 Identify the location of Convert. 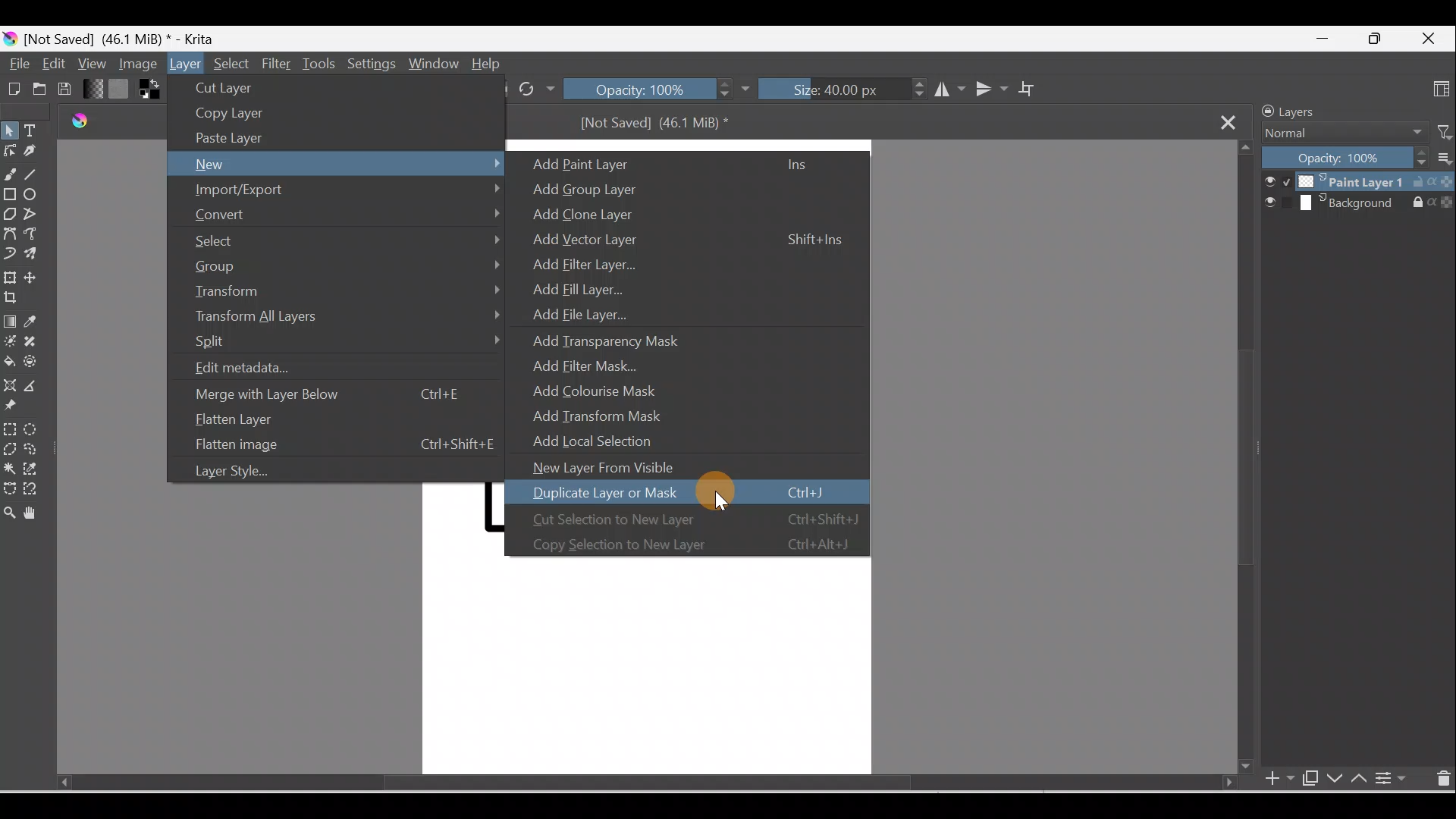
(343, 213).